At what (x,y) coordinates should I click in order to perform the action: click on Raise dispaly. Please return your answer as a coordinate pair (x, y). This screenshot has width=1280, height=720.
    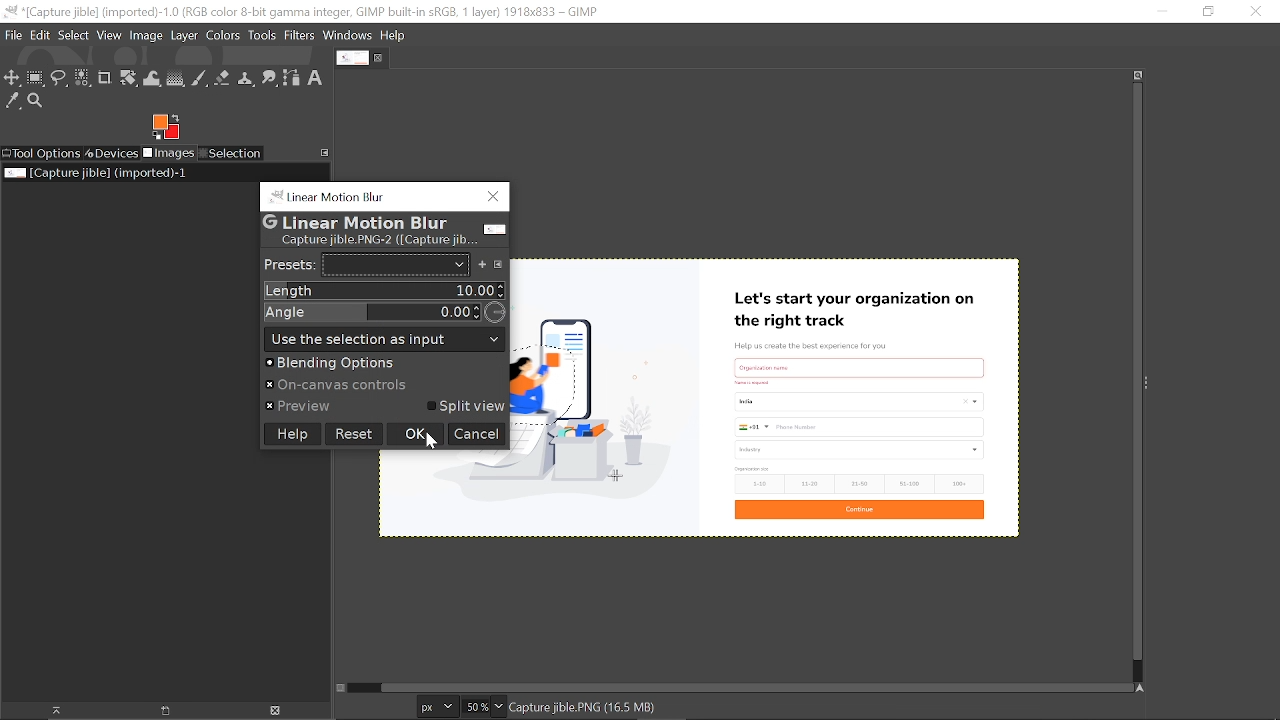
    Looking at the image, I should click on (50, 711).